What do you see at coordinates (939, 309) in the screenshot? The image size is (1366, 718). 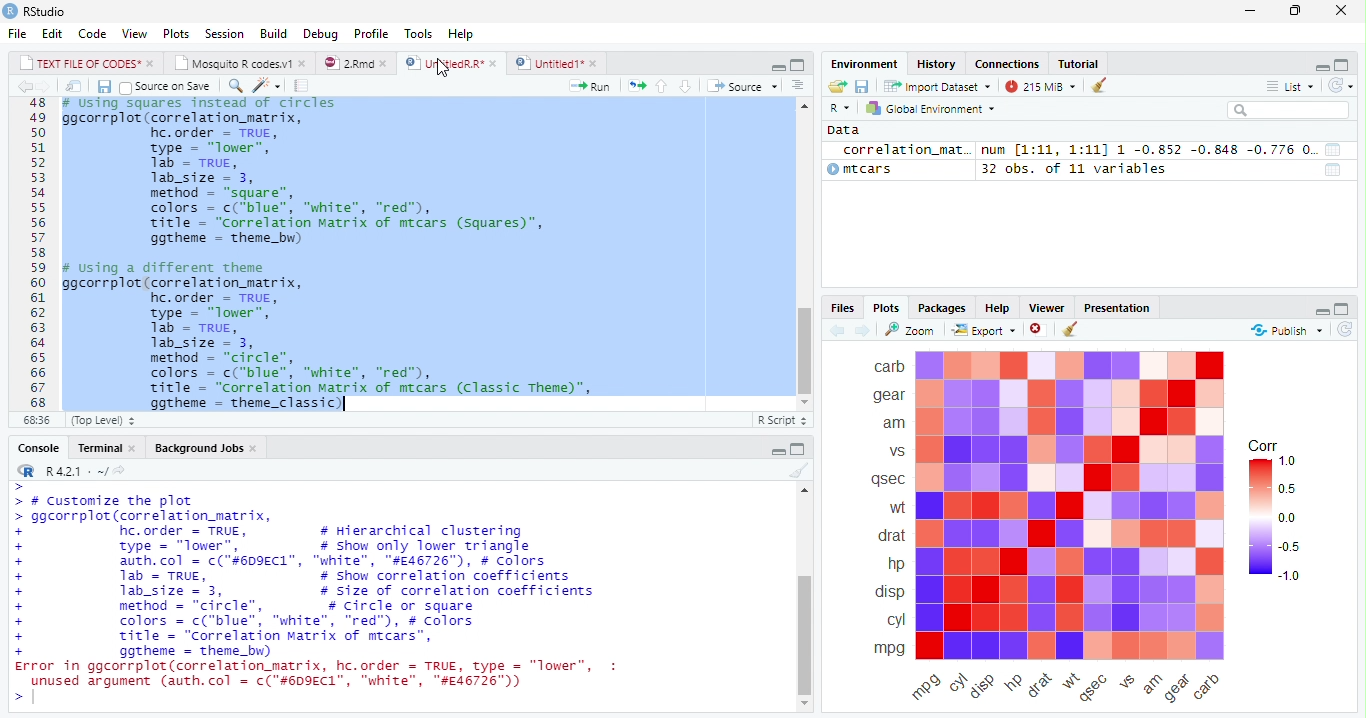 I see `Packages` at bounding box center [939, 309].